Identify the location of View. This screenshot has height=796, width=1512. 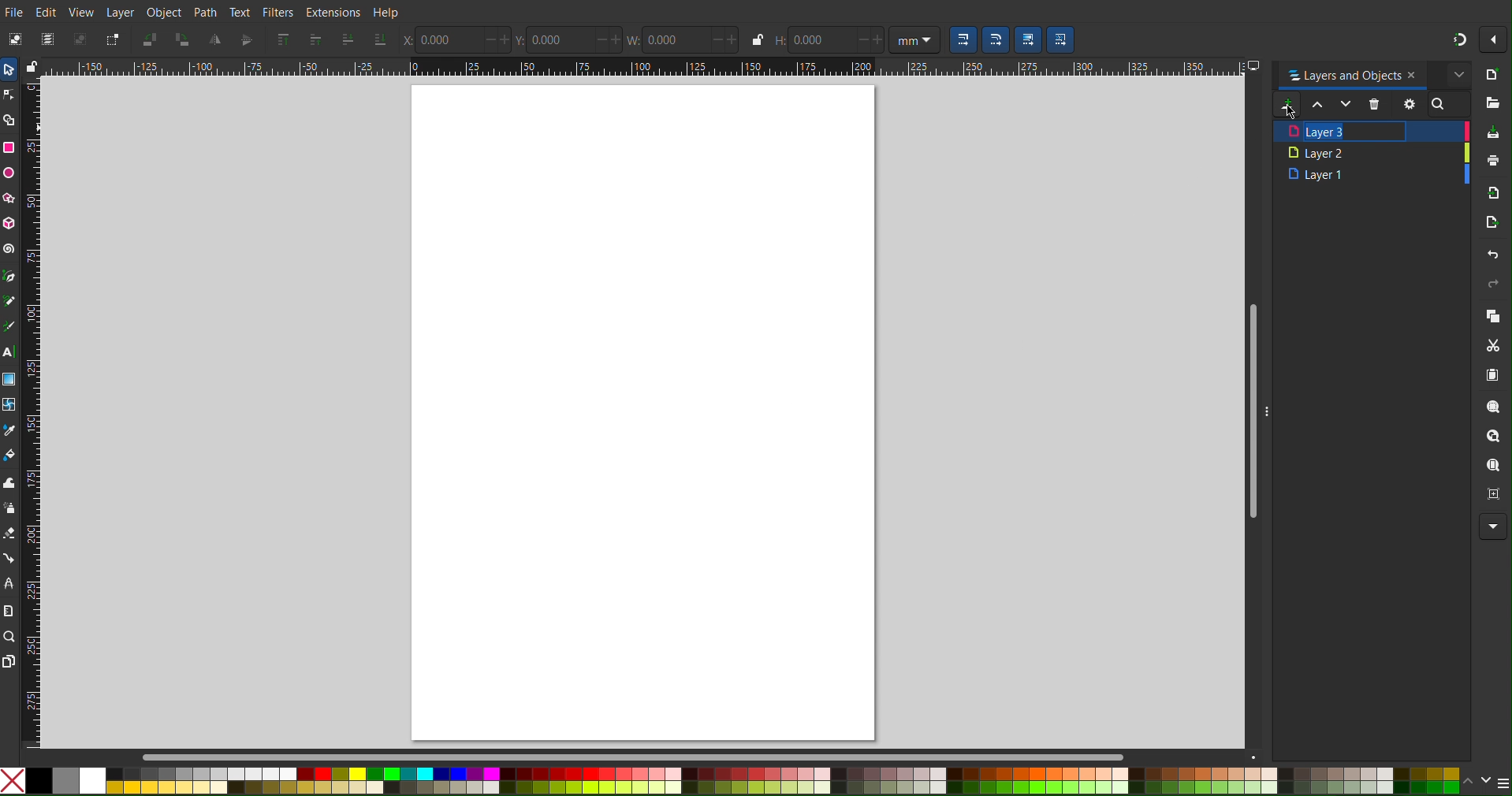
(80, 11).